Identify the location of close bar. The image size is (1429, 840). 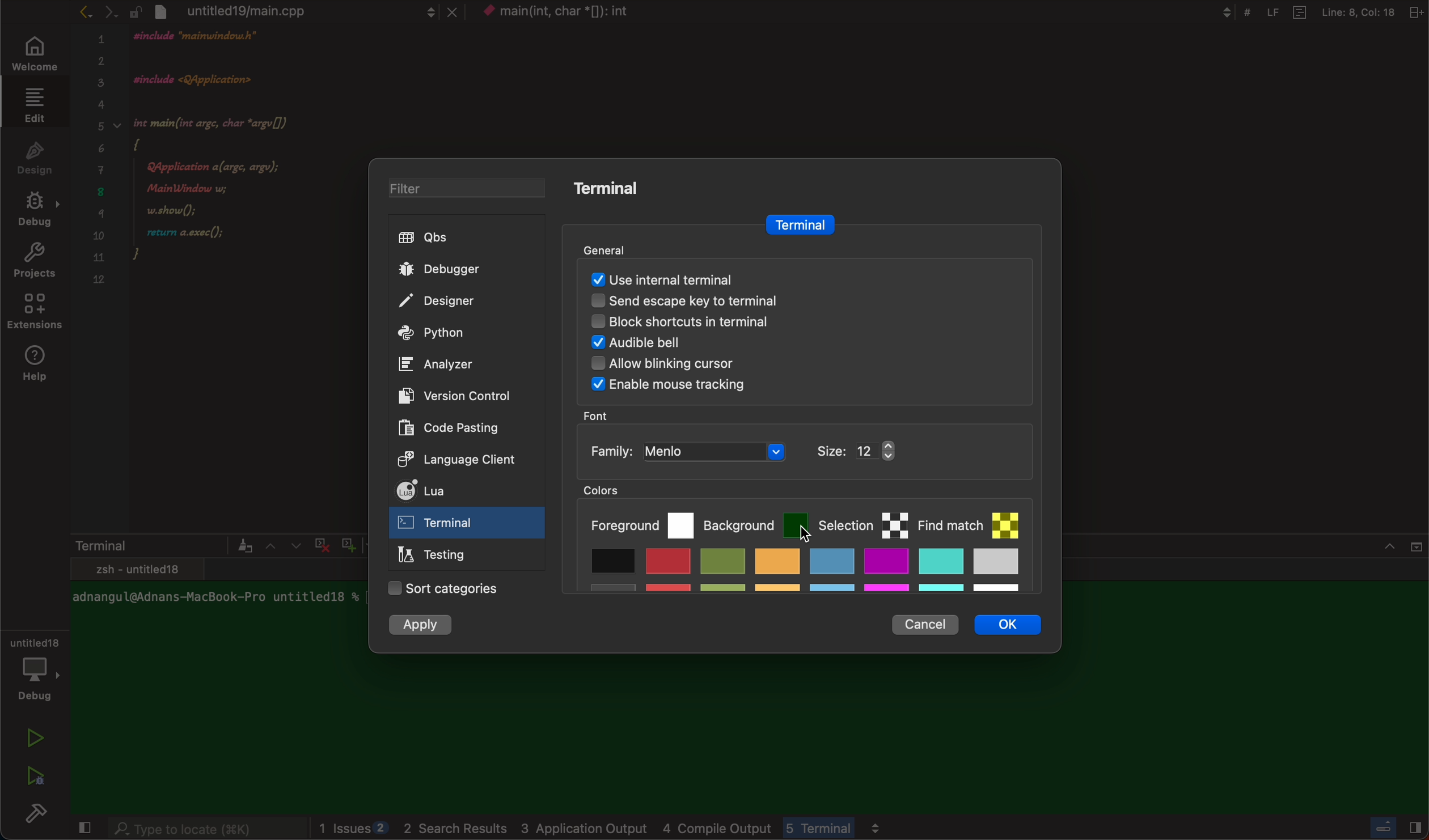
(1389, 825).